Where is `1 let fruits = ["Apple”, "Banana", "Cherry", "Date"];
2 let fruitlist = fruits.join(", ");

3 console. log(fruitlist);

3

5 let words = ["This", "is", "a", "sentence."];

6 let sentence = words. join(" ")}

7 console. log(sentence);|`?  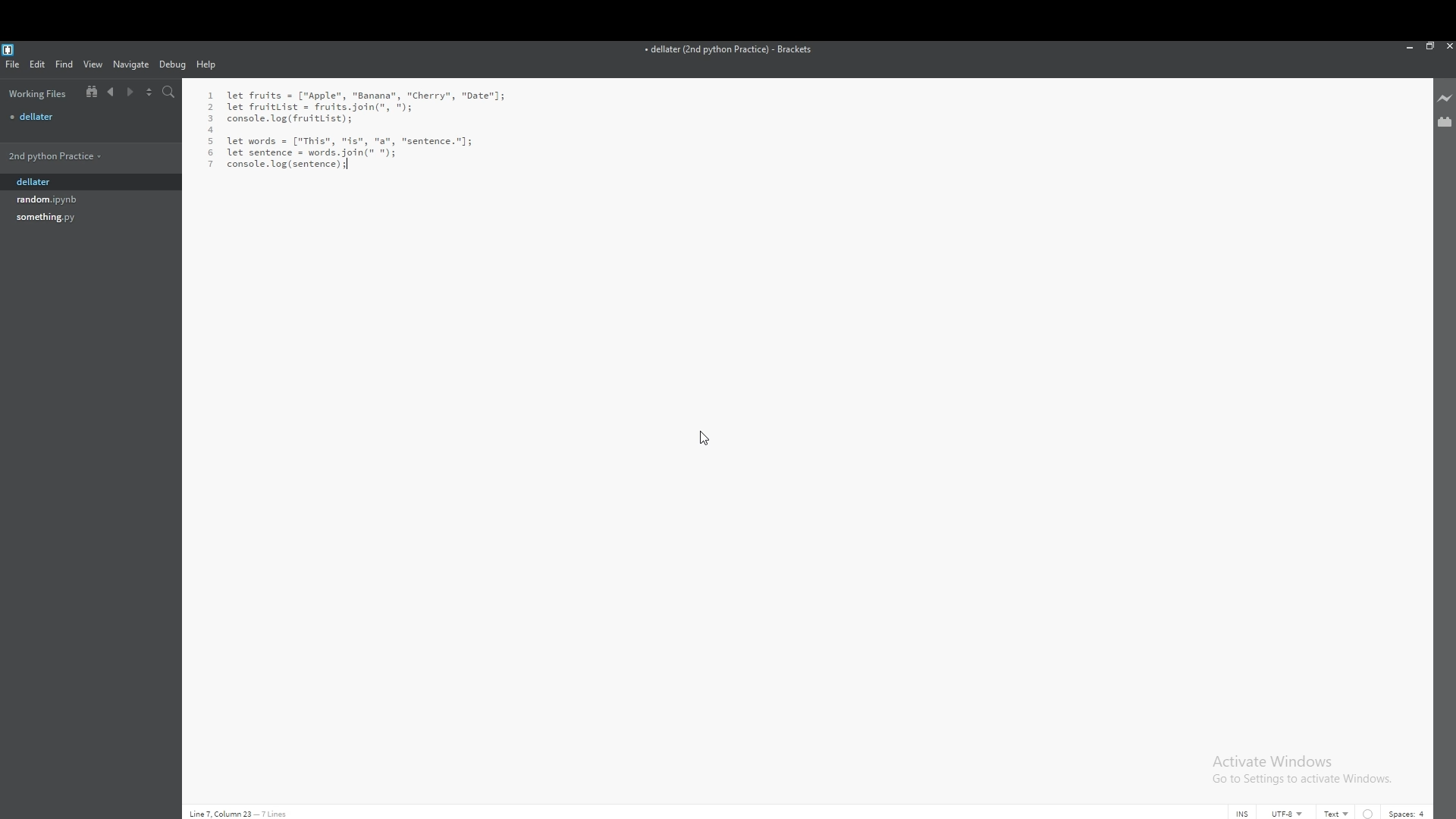
1 let fruits = ["Apple”, "Banana", "Cherry", "Date"];
2 let fruitlist = fruits.join(", ");

3 console. log(fruitlist);

3

5 let words = ["This", "is", "a", "sentence."];

6 let sentence = words. join(" ")}

7 console. log(sentence);| is located at coordinates (385, 127).